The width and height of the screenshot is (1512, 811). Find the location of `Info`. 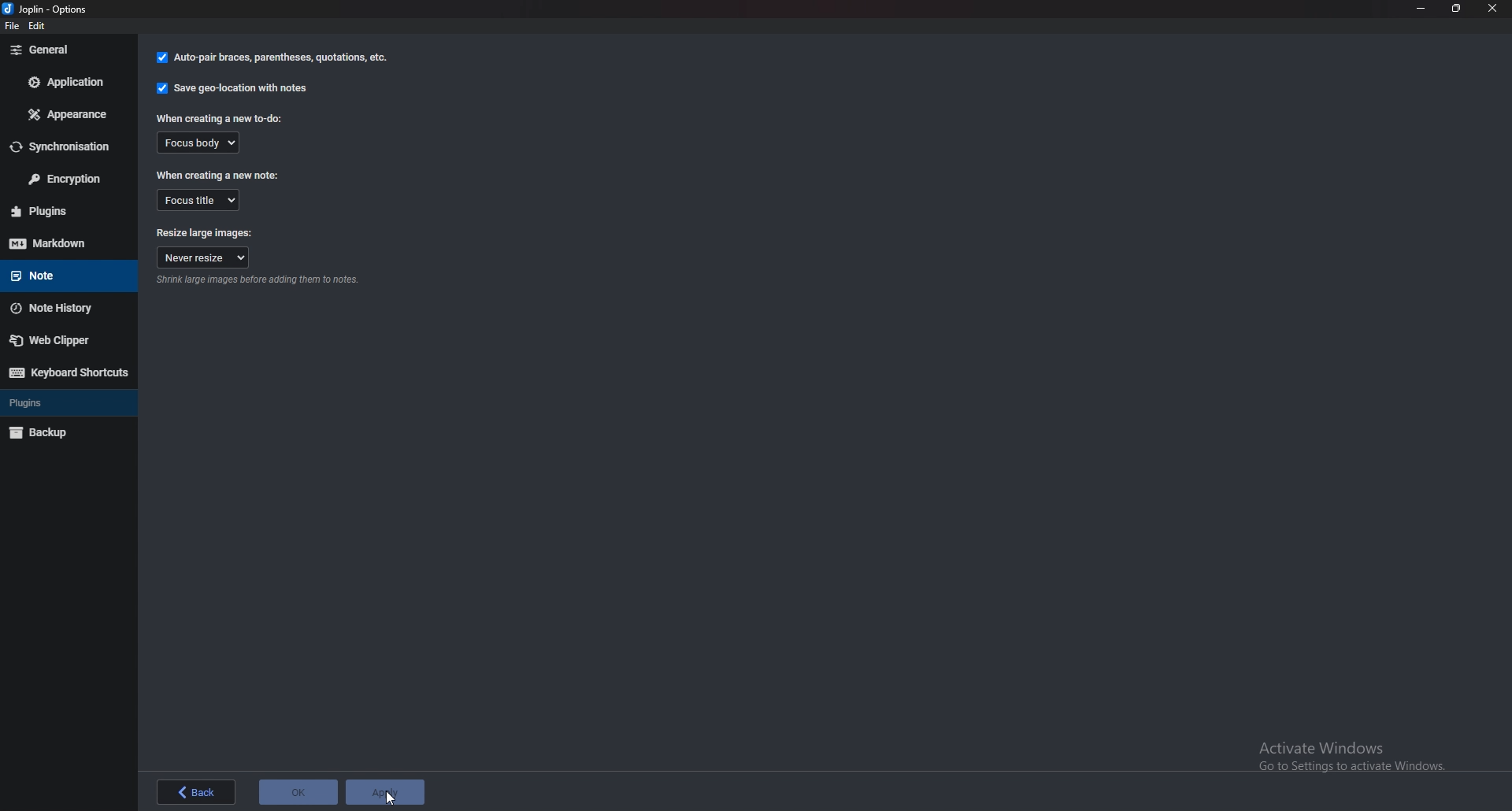

Info is located at coordinates (258, 281).